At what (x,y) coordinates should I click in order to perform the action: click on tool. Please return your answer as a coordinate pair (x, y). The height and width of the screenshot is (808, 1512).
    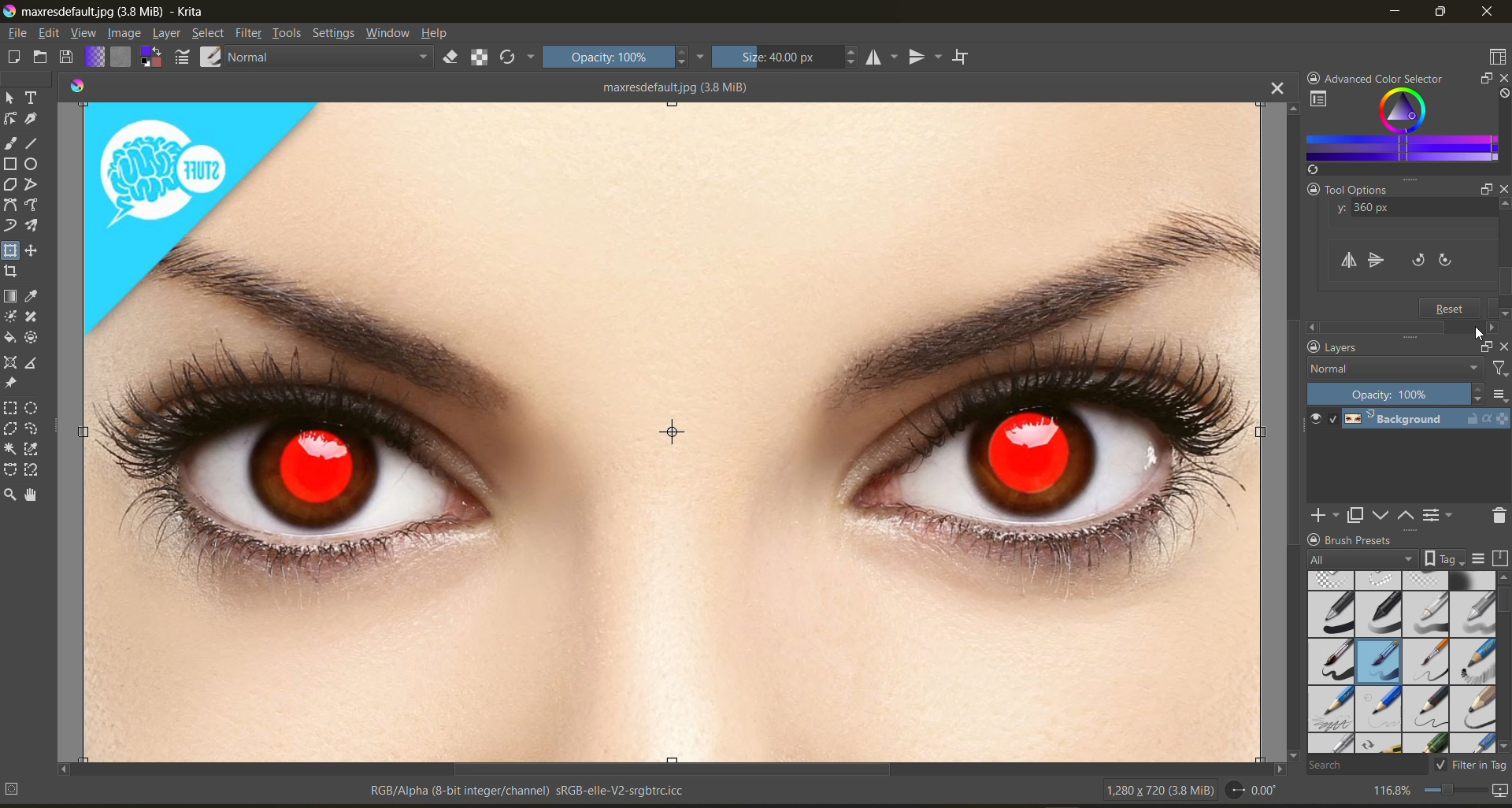
    Looking at the image, I should click on (10, 144).